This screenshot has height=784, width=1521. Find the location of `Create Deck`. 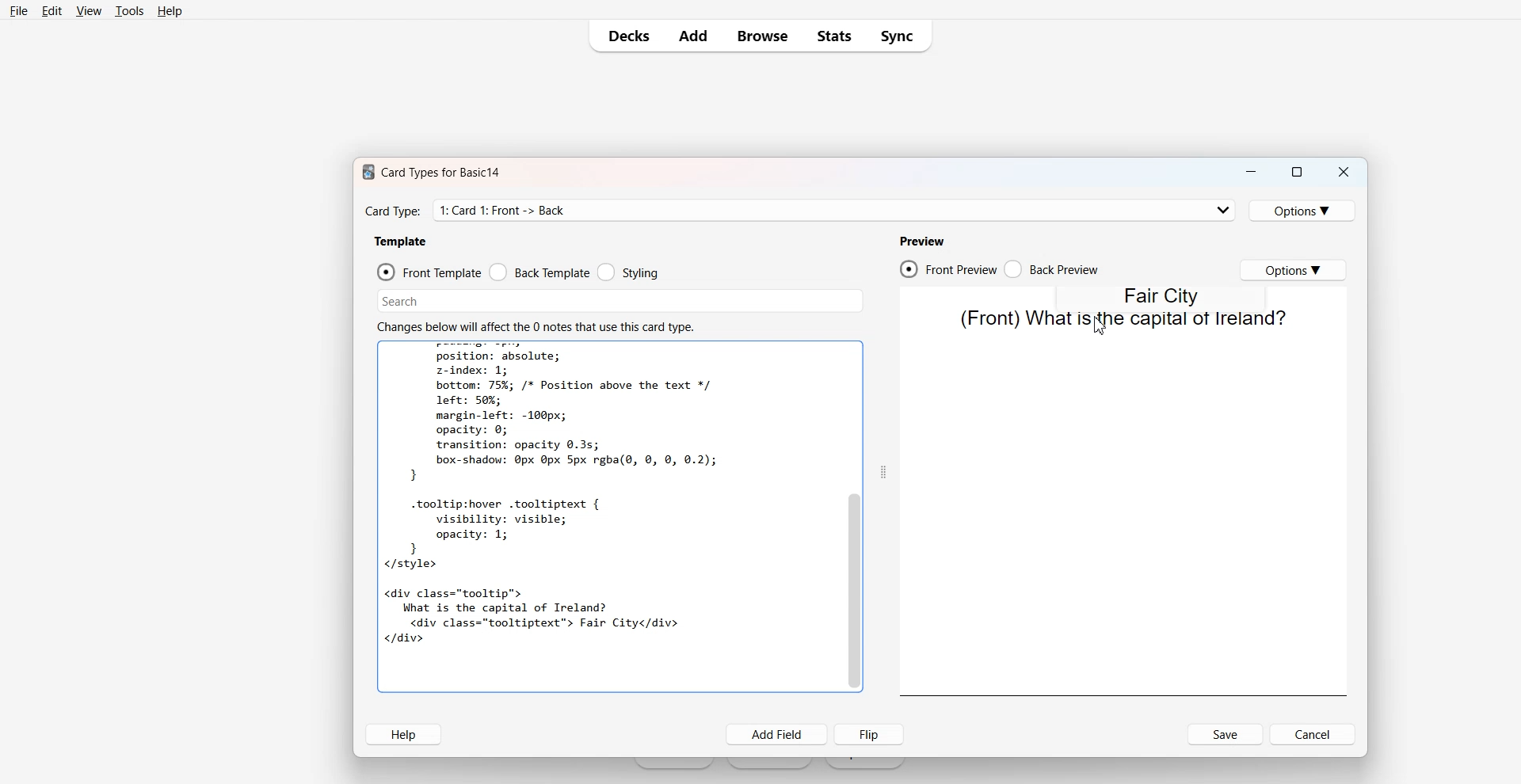

Create Deck is located at coordinates (770, 764).